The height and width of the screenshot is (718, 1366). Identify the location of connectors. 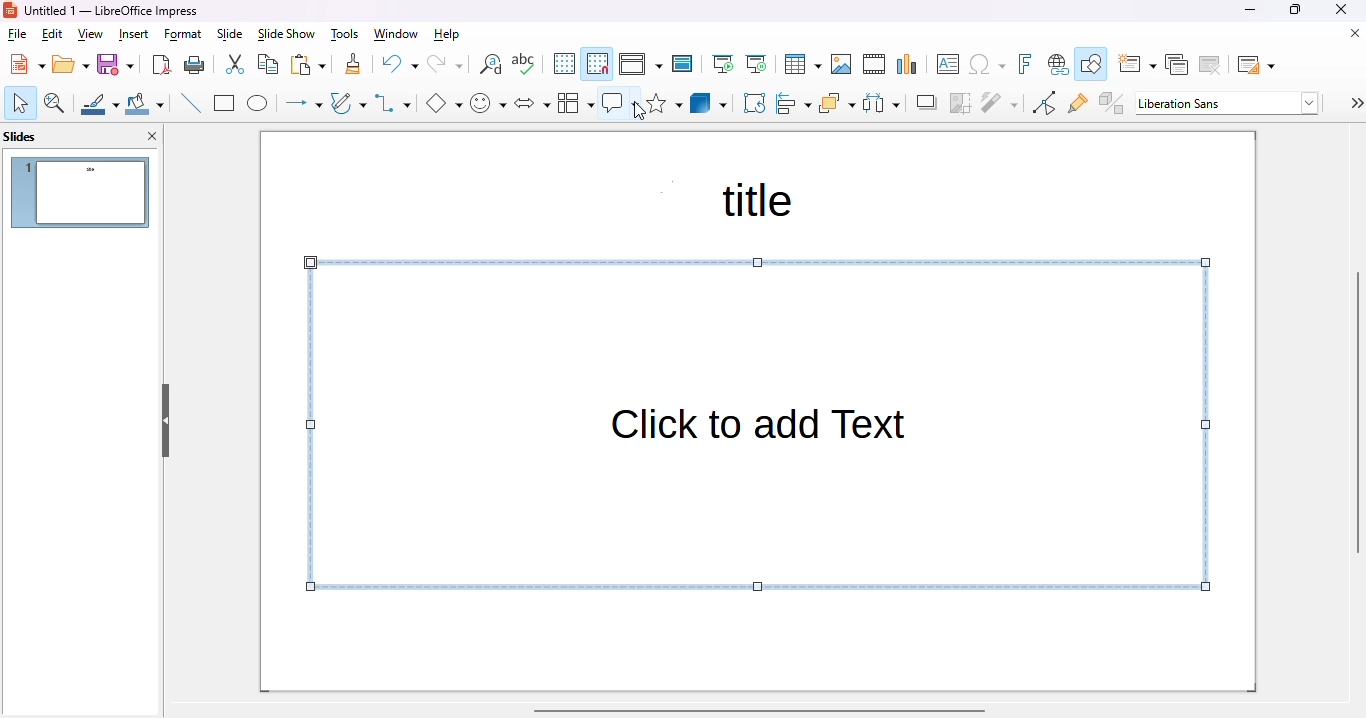
(393, 103).